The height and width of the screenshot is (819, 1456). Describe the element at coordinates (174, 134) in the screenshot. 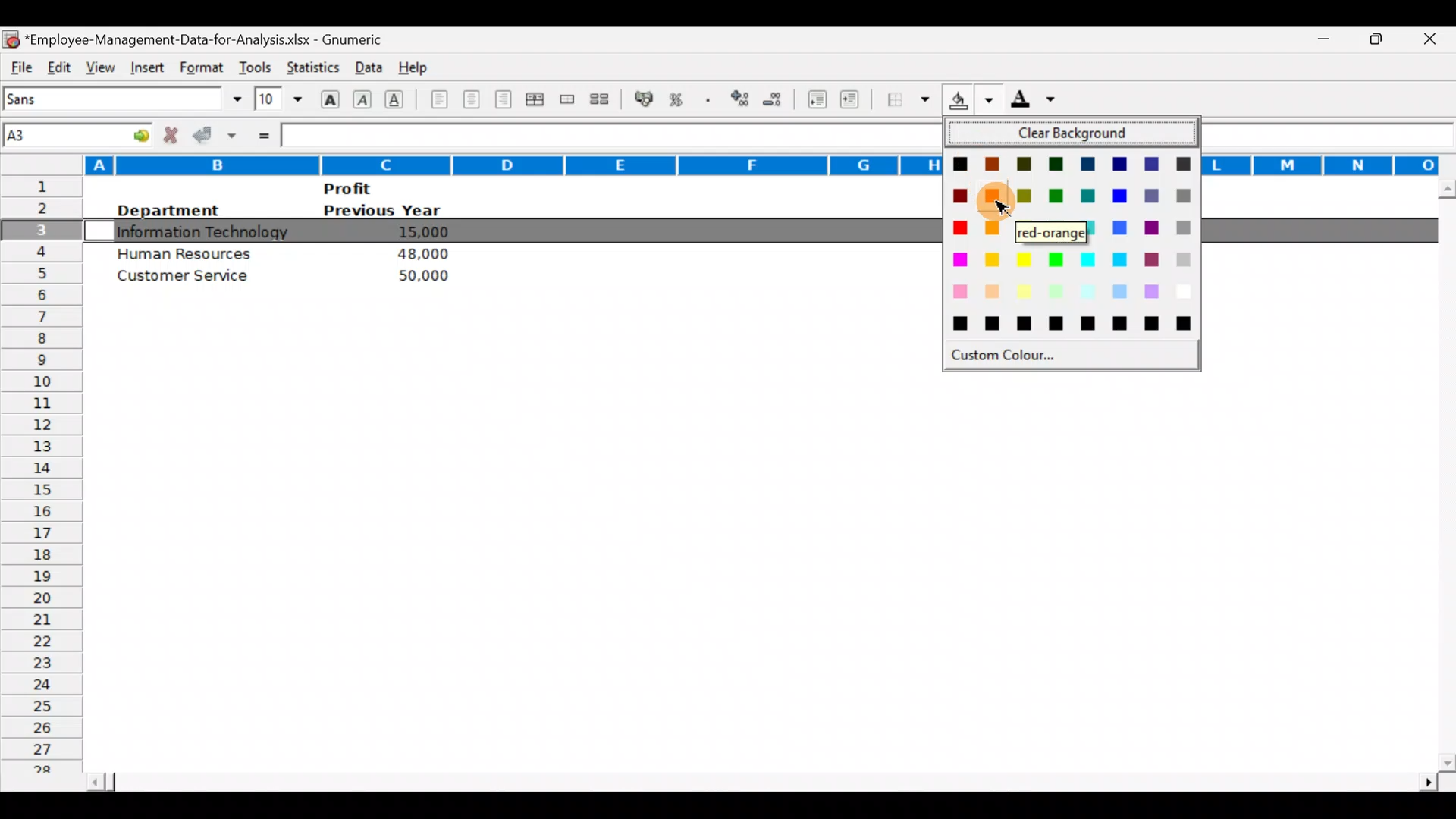

I see `Cancel change` at that location.